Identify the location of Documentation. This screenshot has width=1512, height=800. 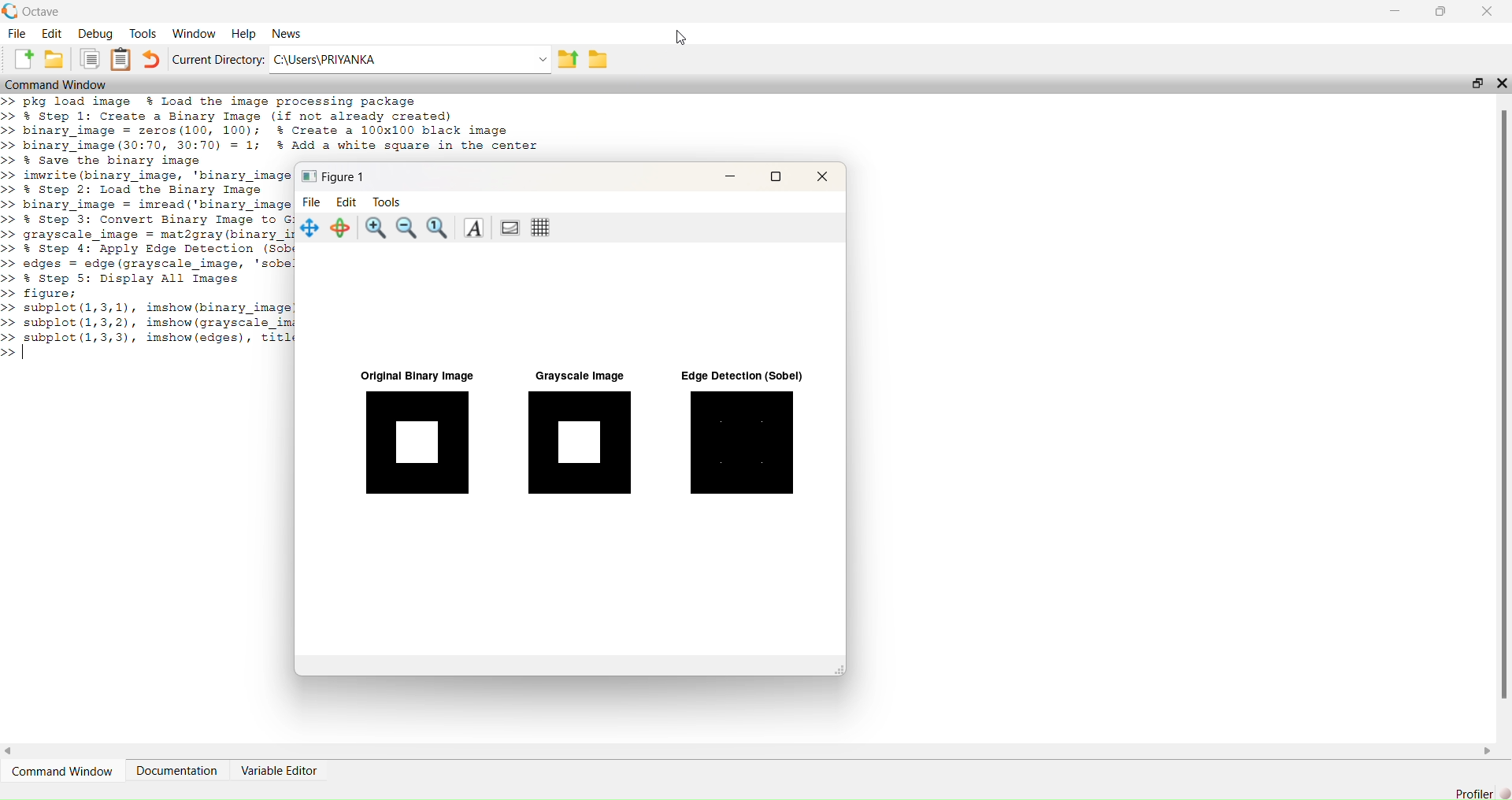
(178, 769).